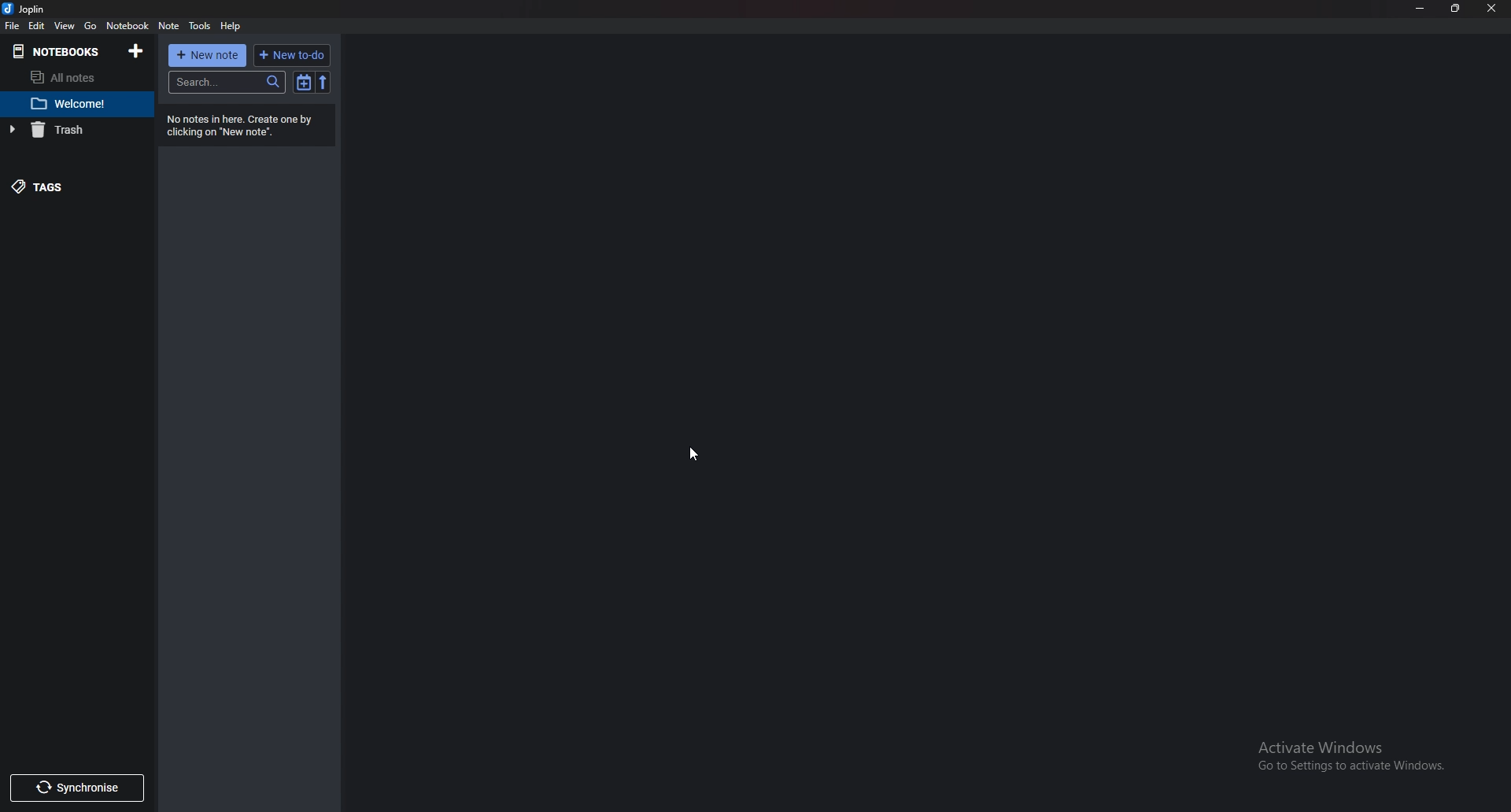  Describe the element at coordinates (1493, 10) in the screenshot. I see `close` at that location.